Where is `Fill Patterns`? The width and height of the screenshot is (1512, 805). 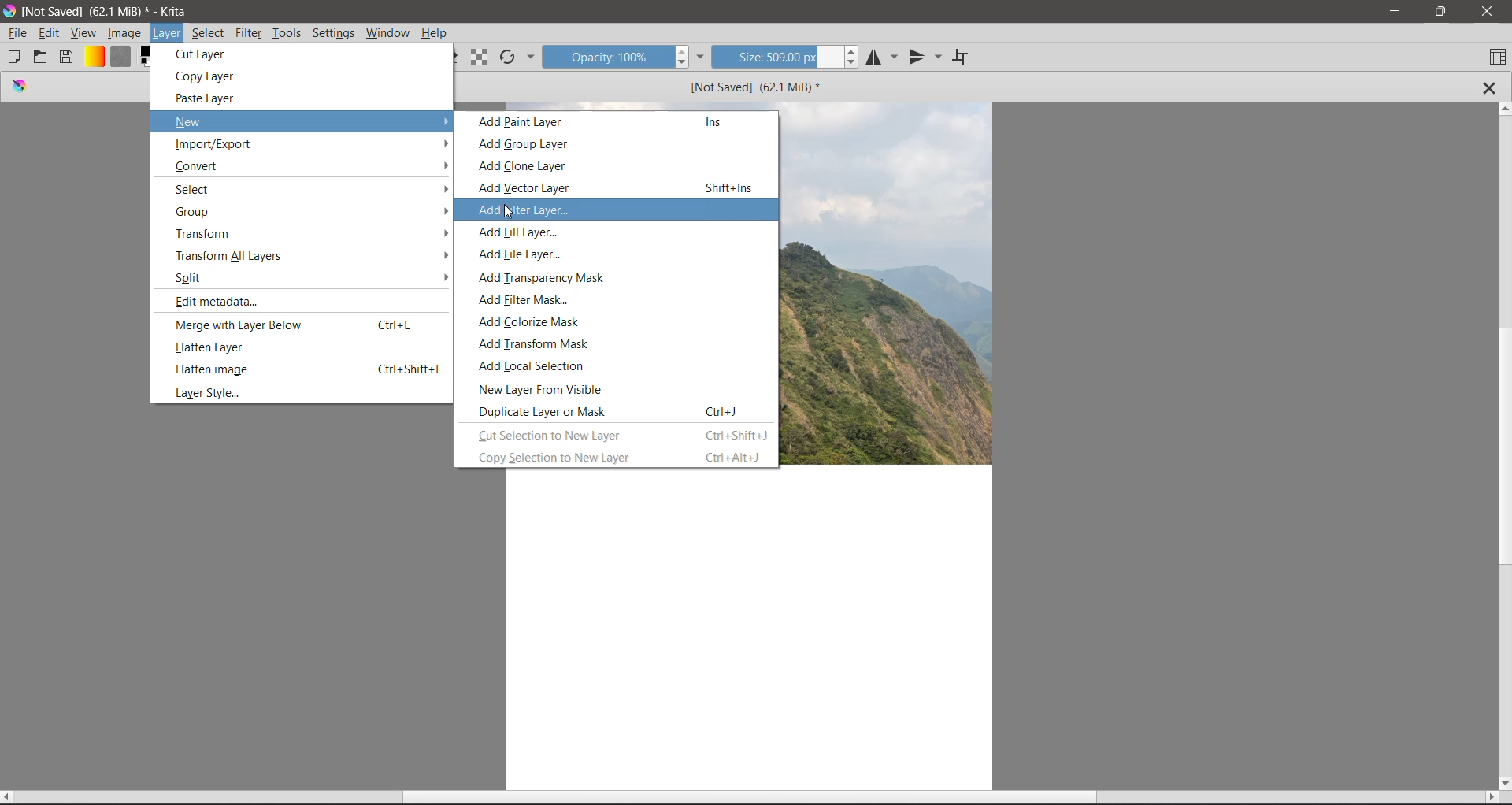
Fill Patterns is located at coordinates (120, 57).